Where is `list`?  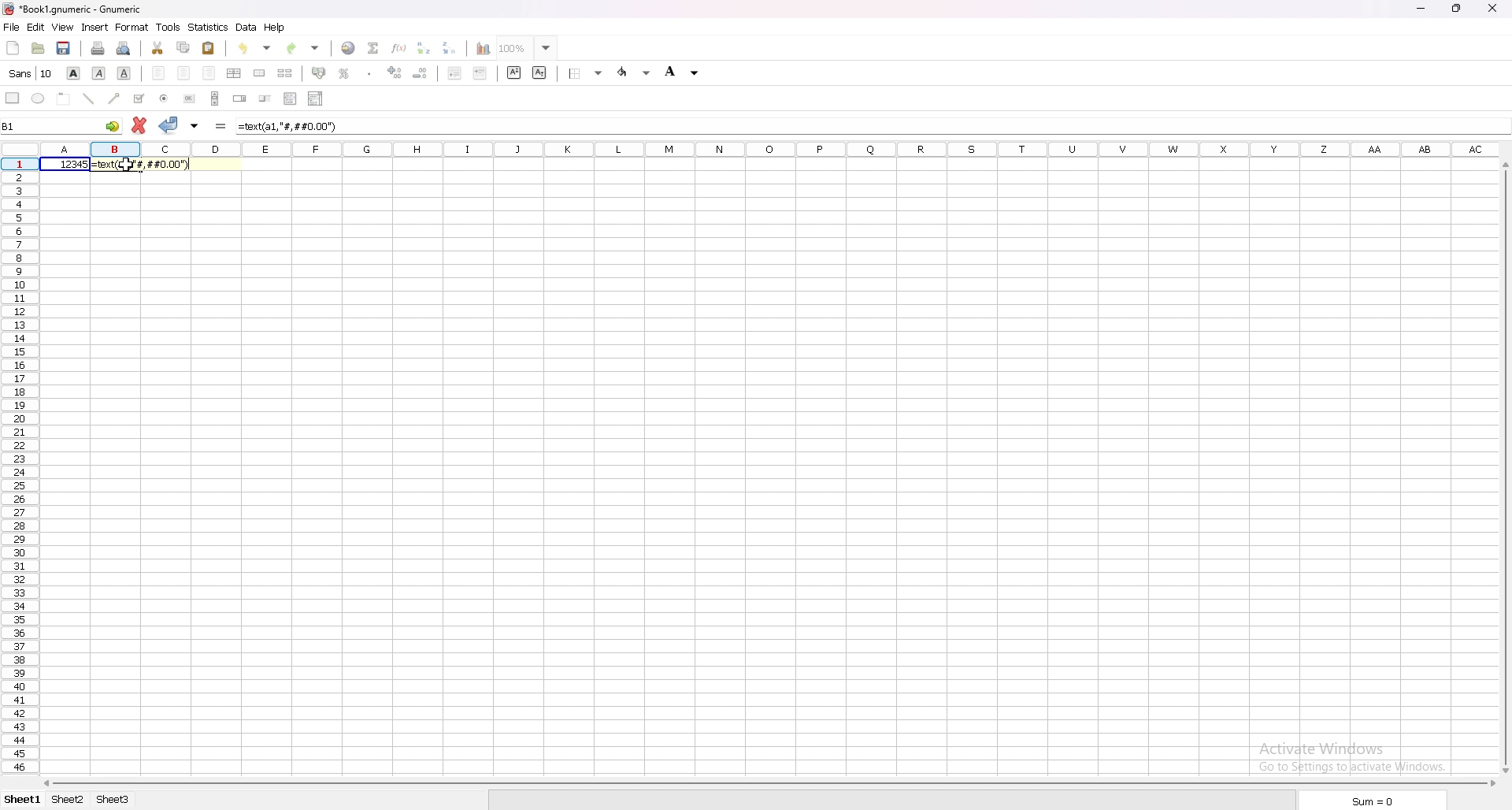
list is located at coordinates (290, 98).